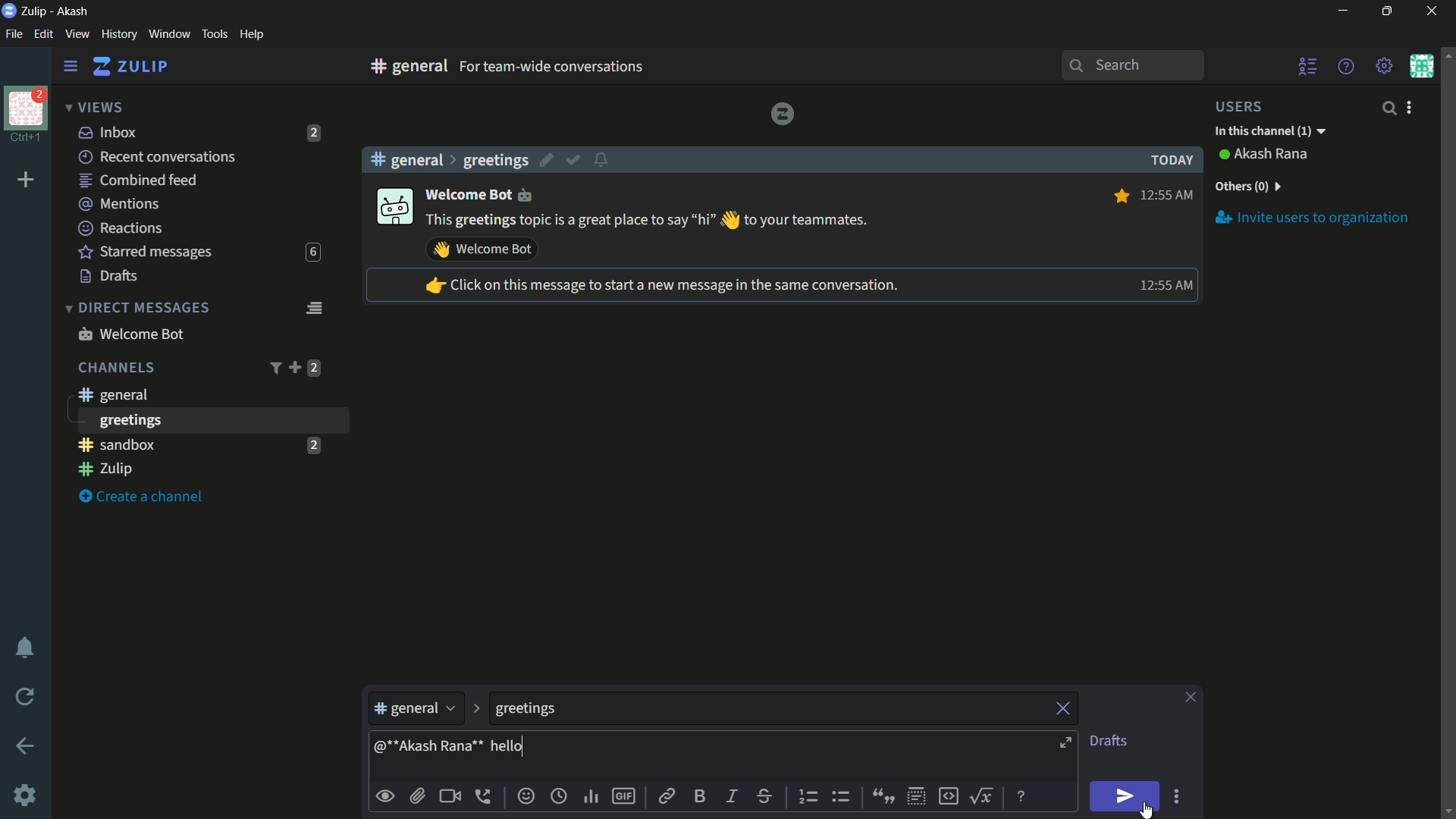 This screenshot has width=1456, height=819. What do you see at coordinates (313, 444) in the screenshot?
I see `2 unread messages` at bounding box center [313, 444].